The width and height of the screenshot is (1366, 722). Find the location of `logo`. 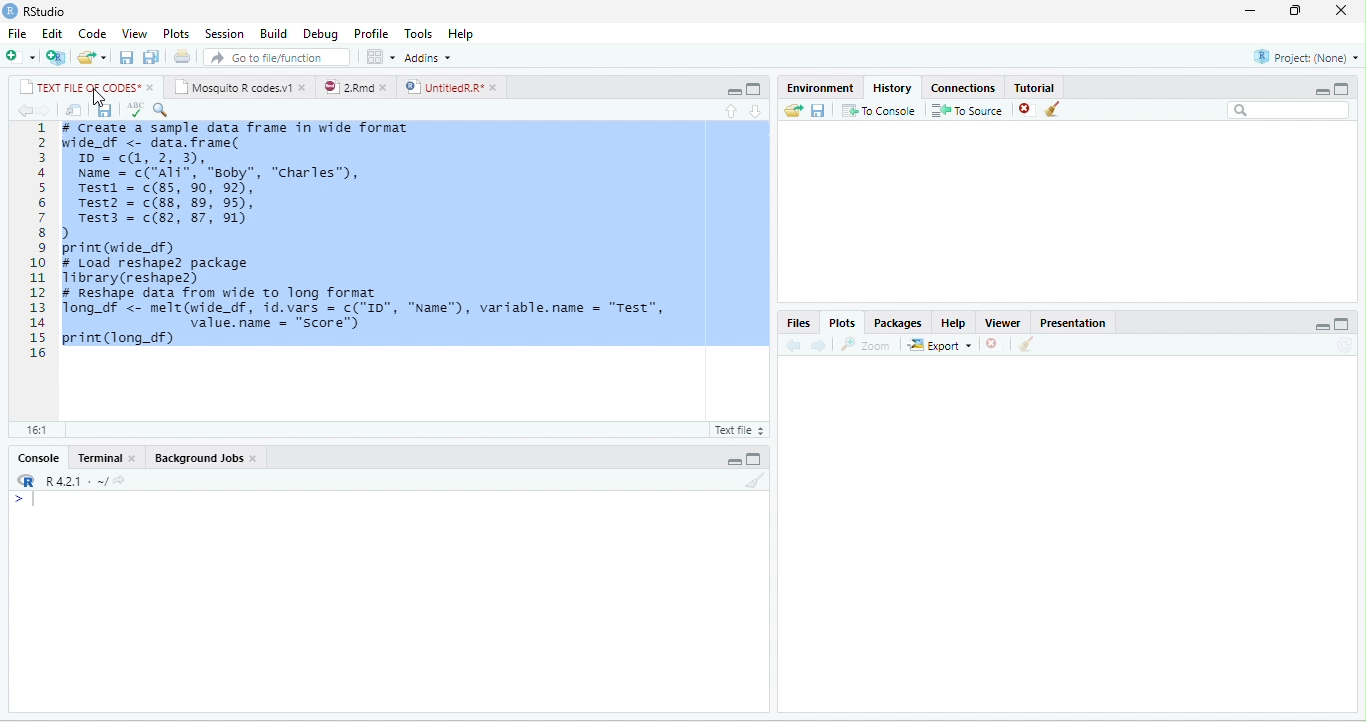

logo is located at coordinates (11, 10).